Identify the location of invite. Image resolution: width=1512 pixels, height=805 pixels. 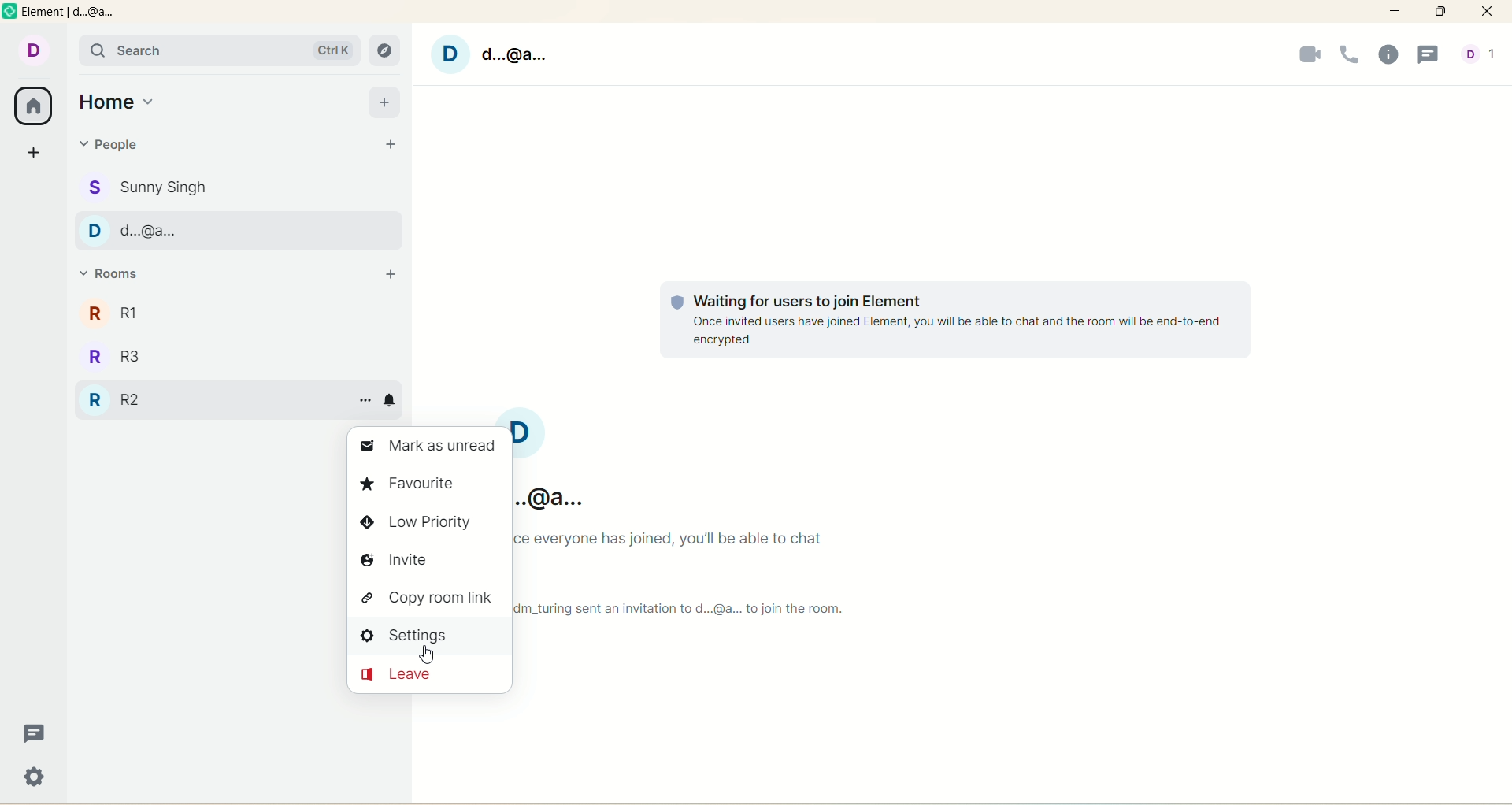
(429, 562).